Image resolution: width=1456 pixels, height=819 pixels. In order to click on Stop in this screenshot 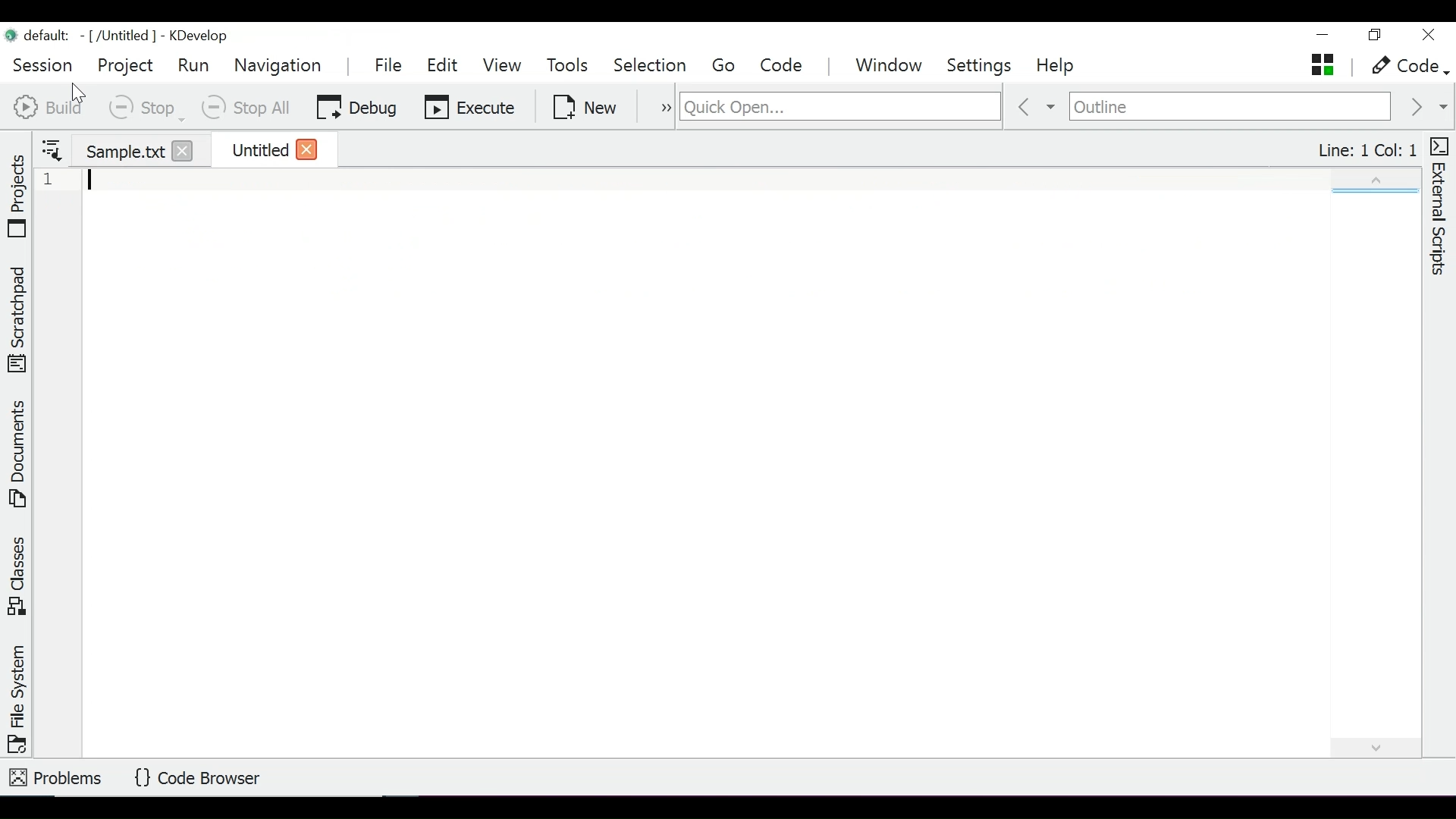, I will do `click(146, 106)`.